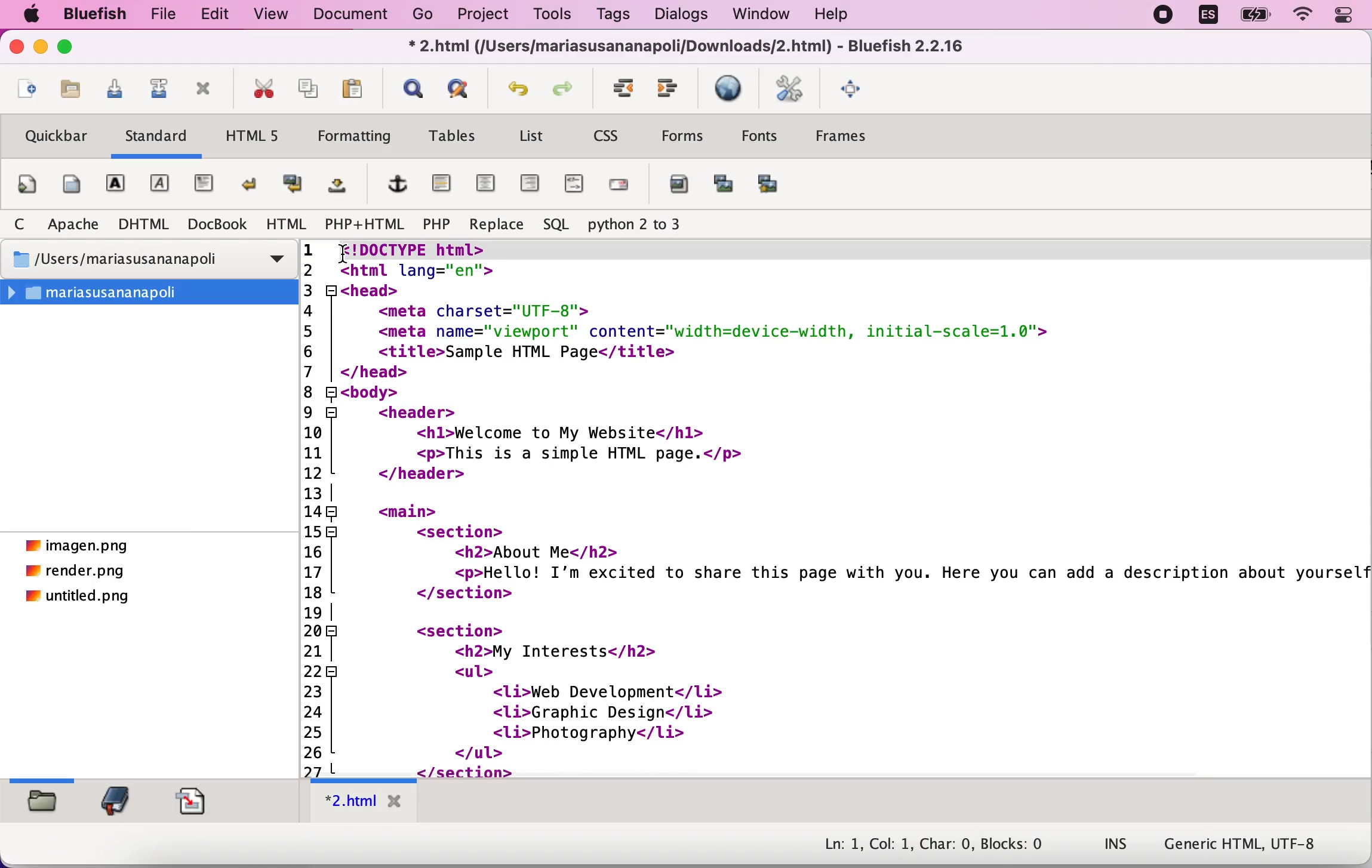 The width and height of the screenshot is (1372, 868). I want to click on replace, so click(494, 224).